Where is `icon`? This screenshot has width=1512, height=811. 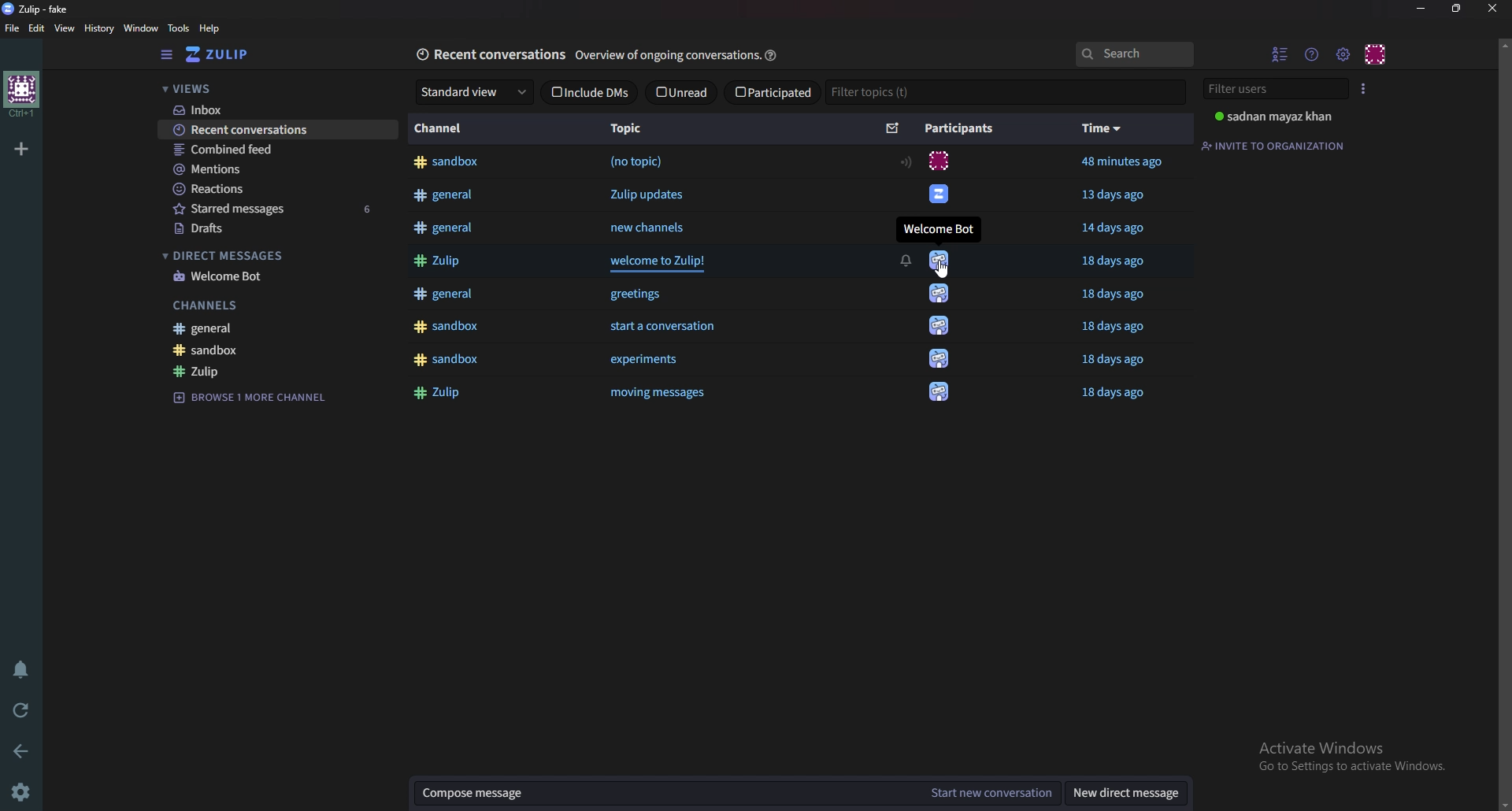 icon is located at coordinates (937, 161).